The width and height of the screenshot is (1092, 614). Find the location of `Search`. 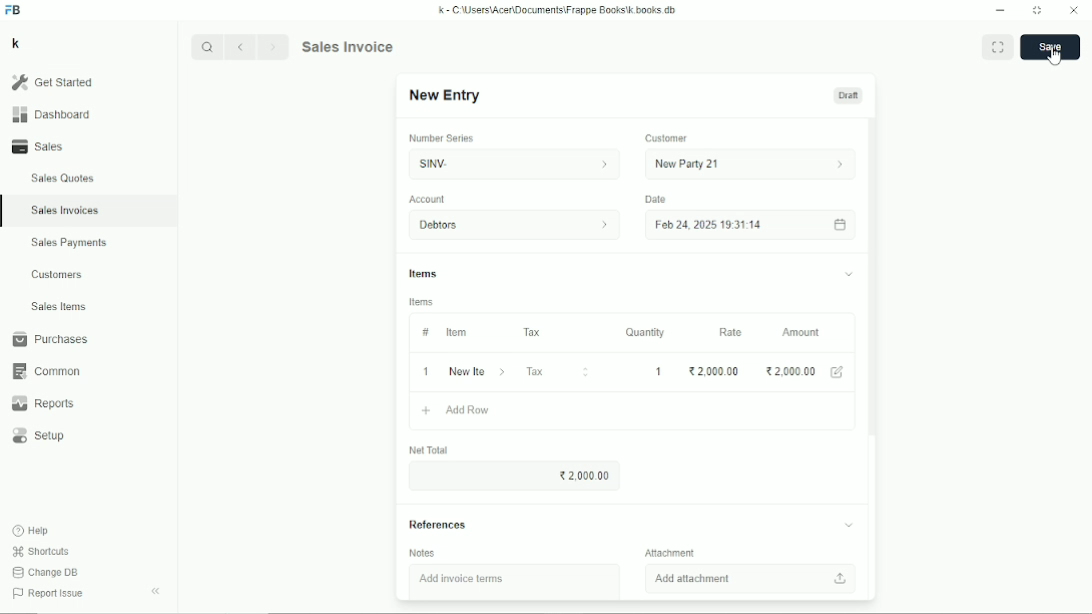

Search is located at coordinates (208, 47).